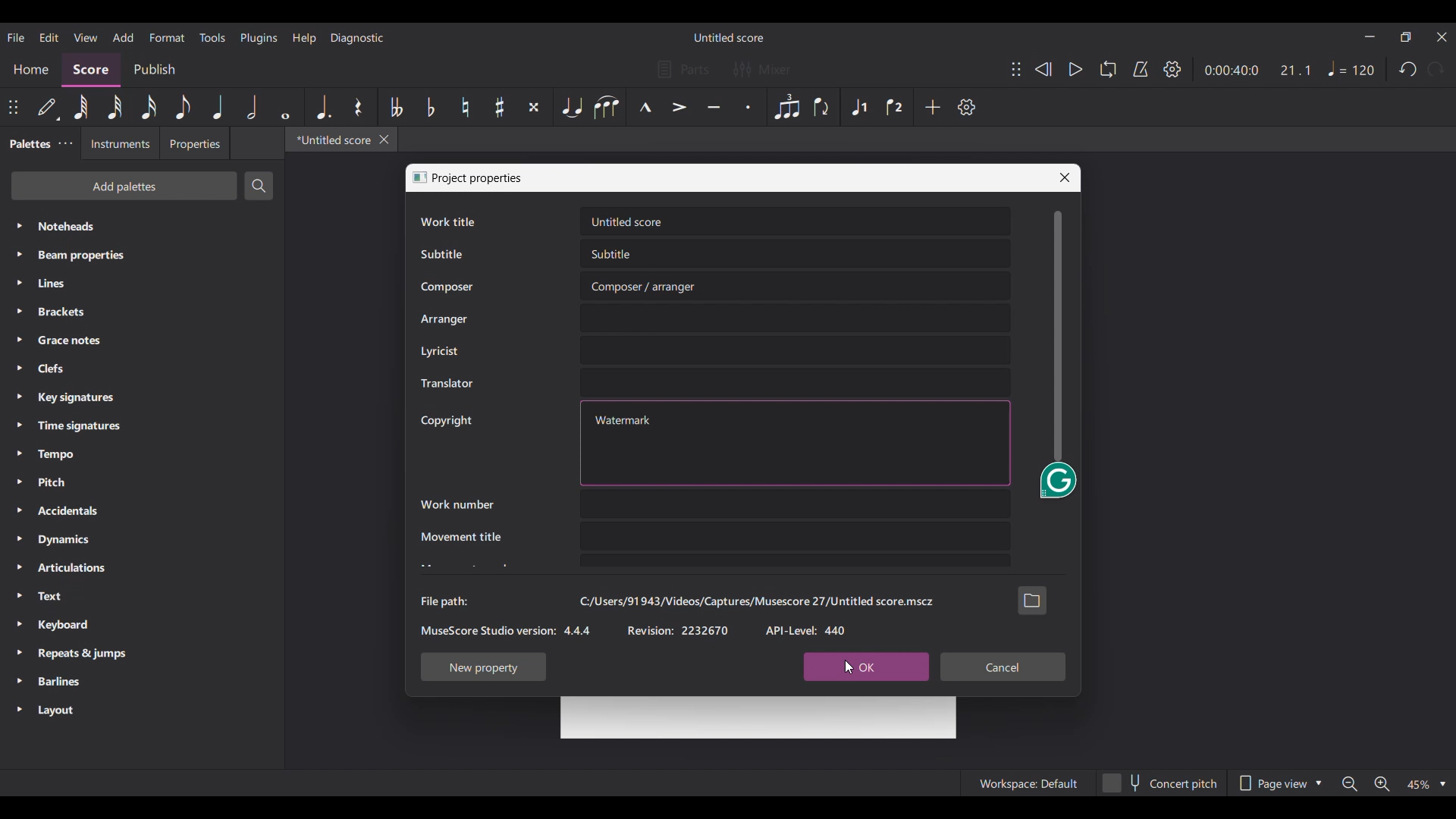  What do you see at coordinates (678, 630) in the screenshot?
I see `Revision: 2232670` at bounding box center [678, 630].